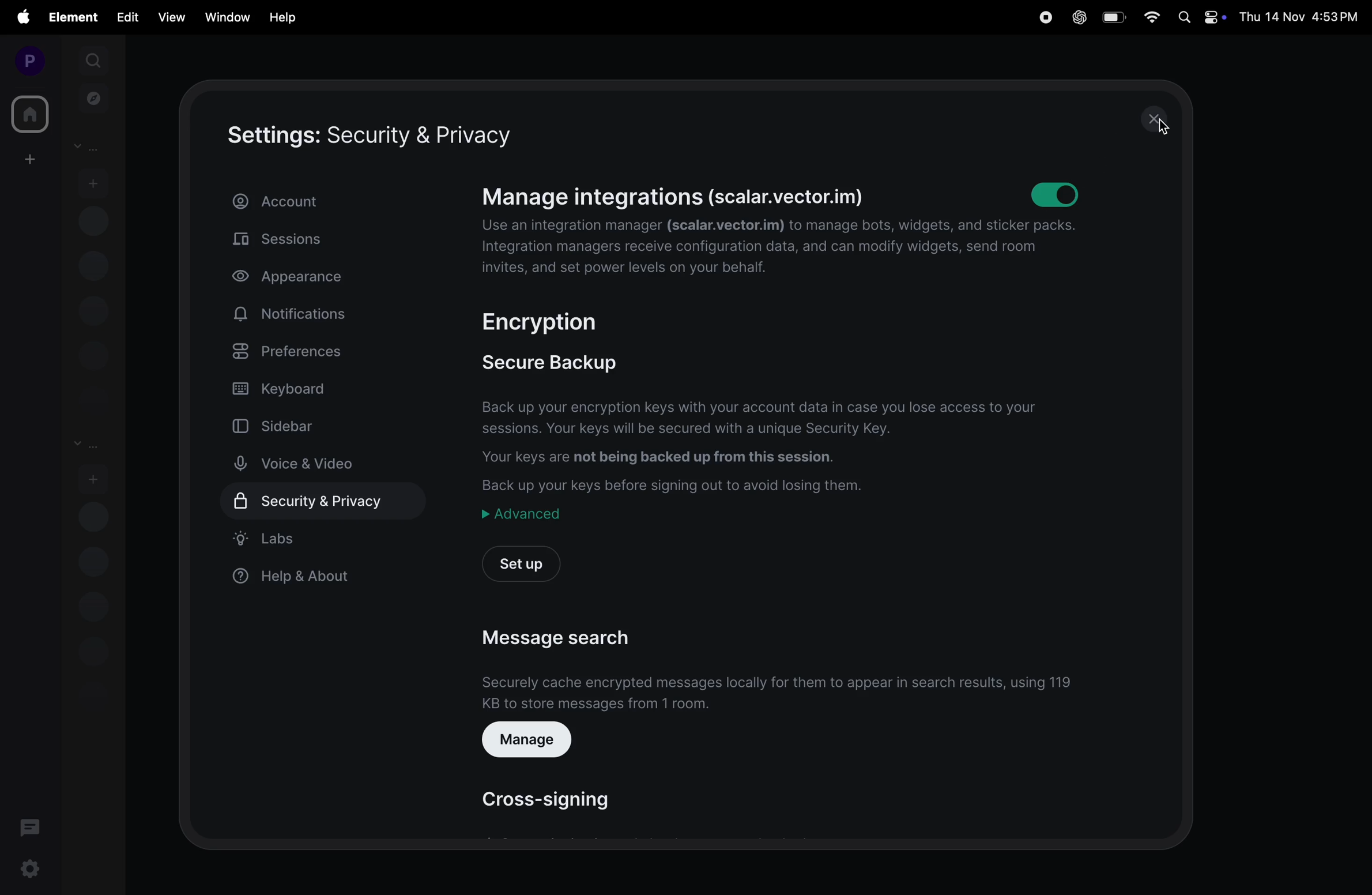 The width and height of the screenshot is (1372, 895). Describe the element at coordinates (27, 60) in the screenshot. I see `profile` at that location.